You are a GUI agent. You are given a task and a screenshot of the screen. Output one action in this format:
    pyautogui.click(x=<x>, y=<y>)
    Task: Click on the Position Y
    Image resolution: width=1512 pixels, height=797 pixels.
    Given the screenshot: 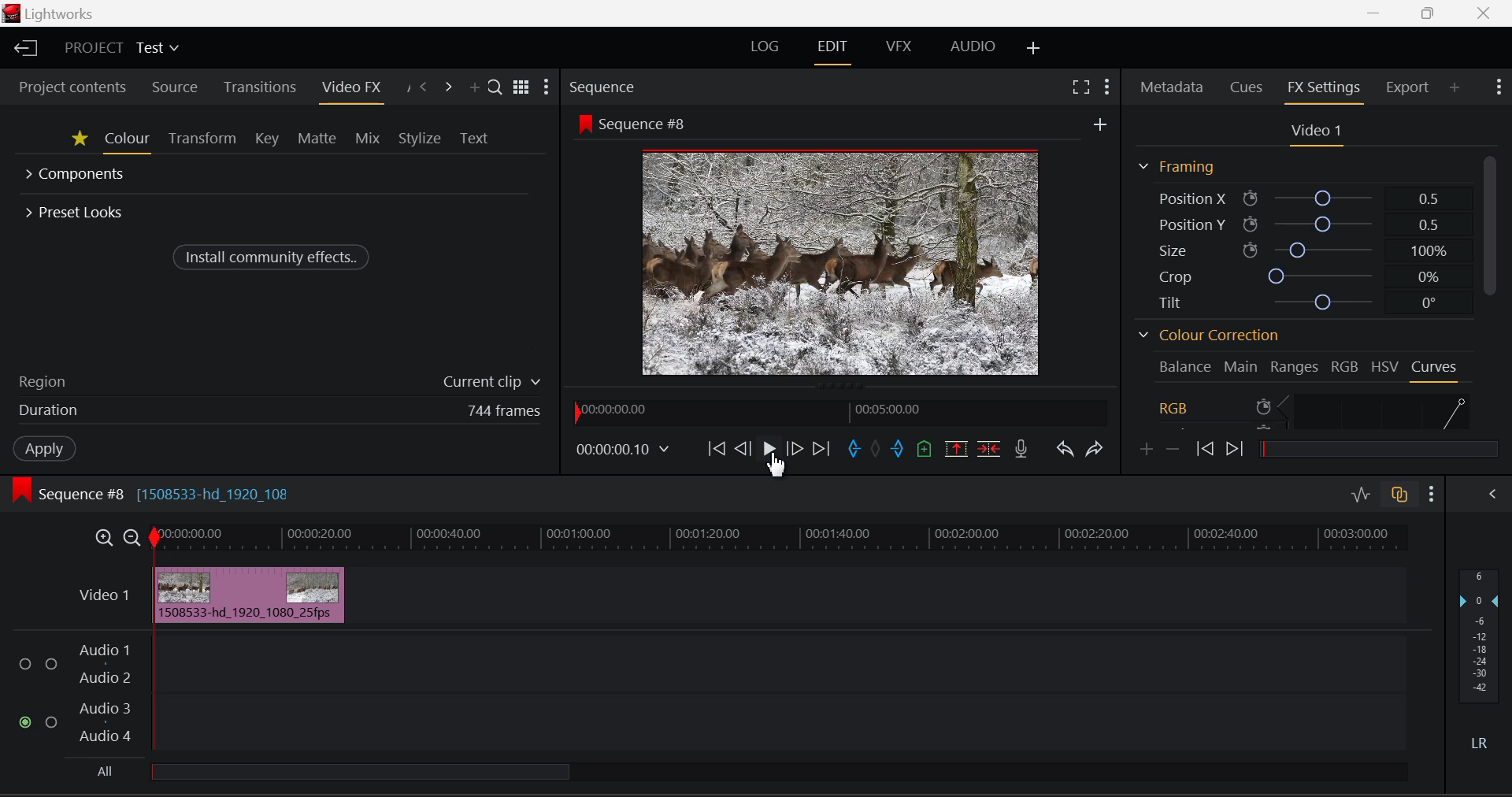 What is the action you would take?
    pyautogui.click(x=1300, y=223)
    